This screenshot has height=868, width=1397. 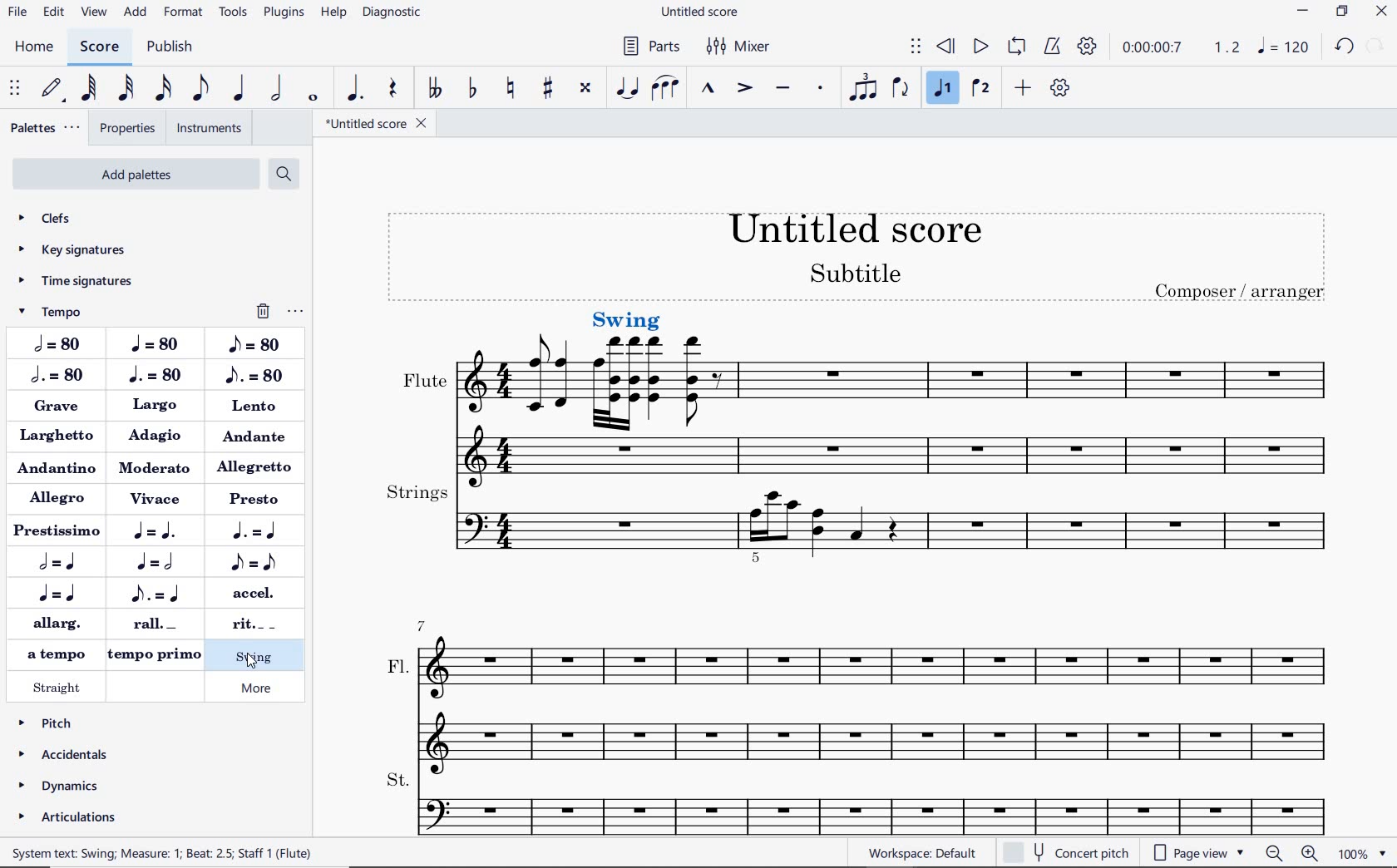 What do you see at coordinates (924, 853) in the screenshot?
I see `WORKSPACE: DEFAULT` at bounding box center [924, 853].